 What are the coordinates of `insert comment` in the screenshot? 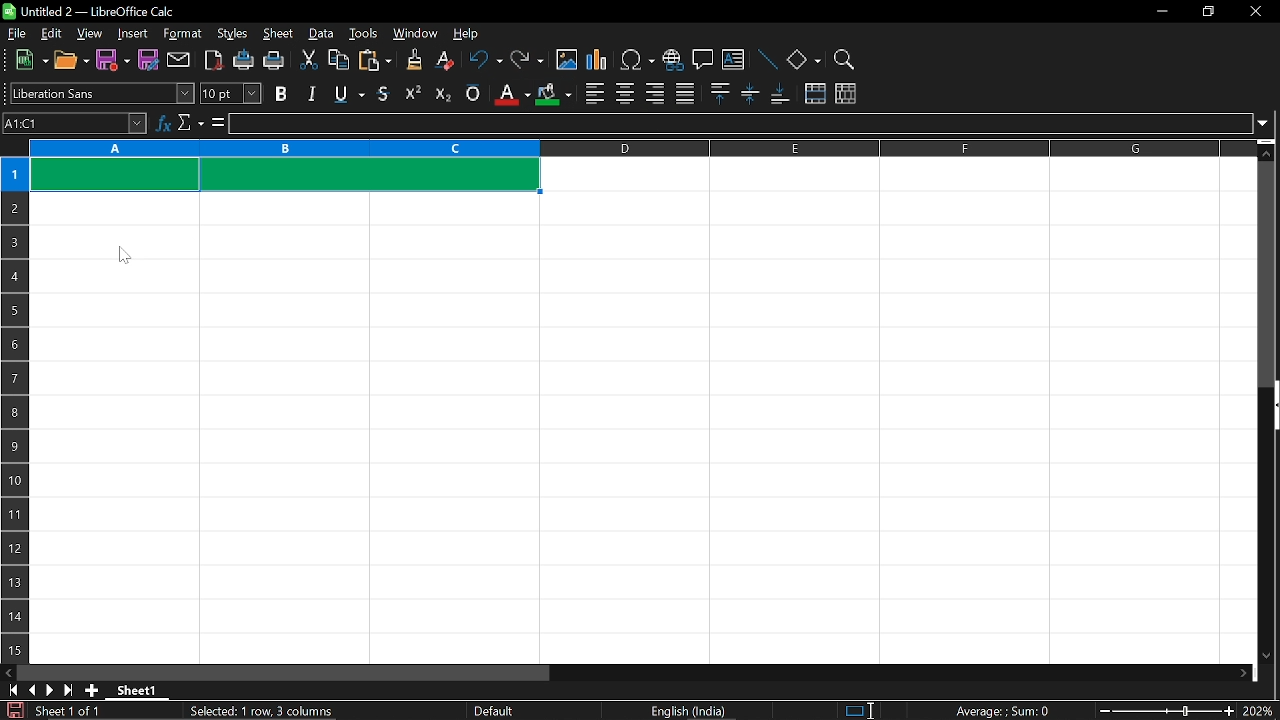 It's located at (702, 60).